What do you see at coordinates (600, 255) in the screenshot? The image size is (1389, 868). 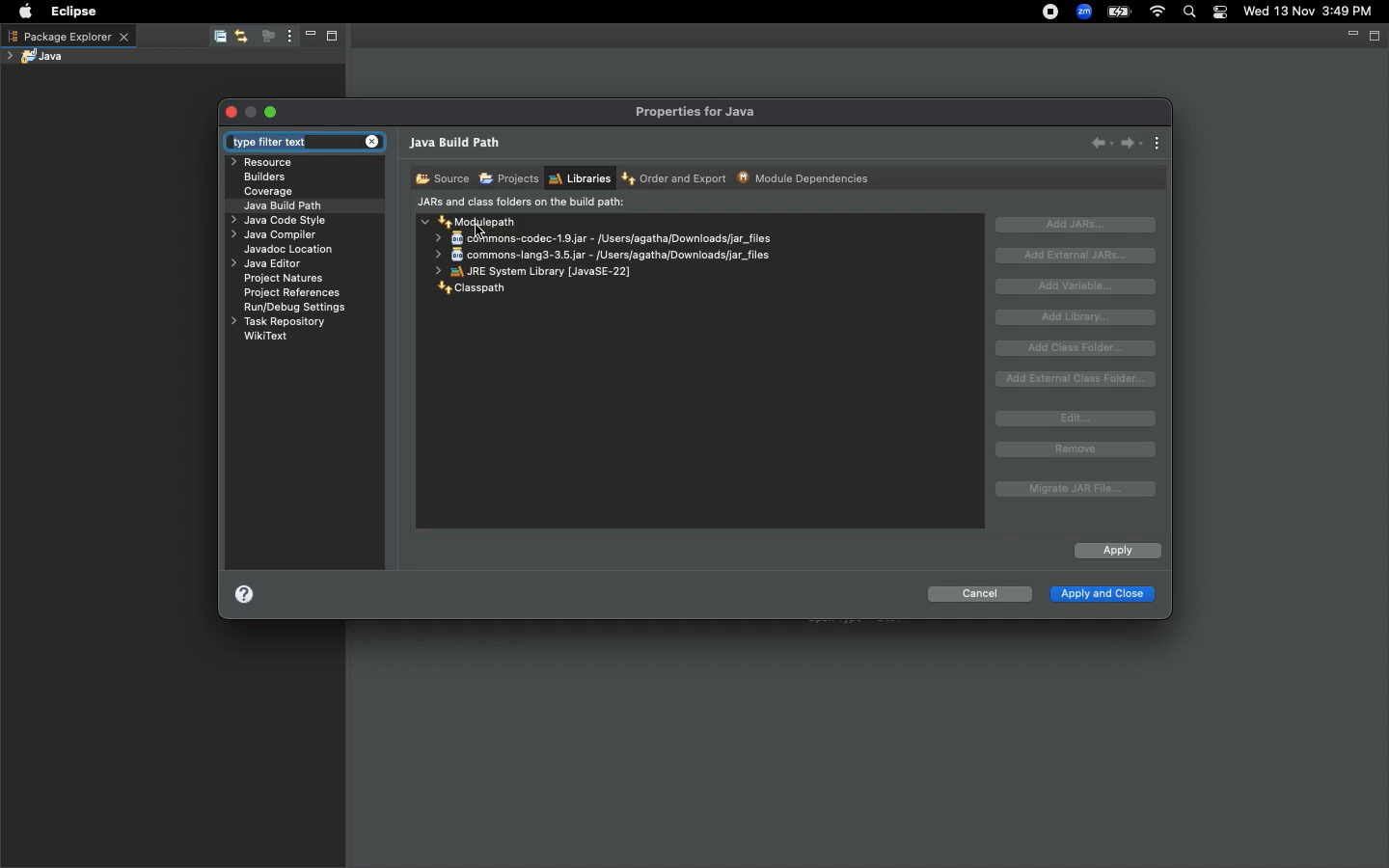 I see `commons-codec-1.9.jar - /users/agatha/Downloads/jar_files commons-lang3-3.5.jar - /Users/agatha/Downloads/jar_files JRE System Library [JavaSE-22]` at bounding box center [600, 255].